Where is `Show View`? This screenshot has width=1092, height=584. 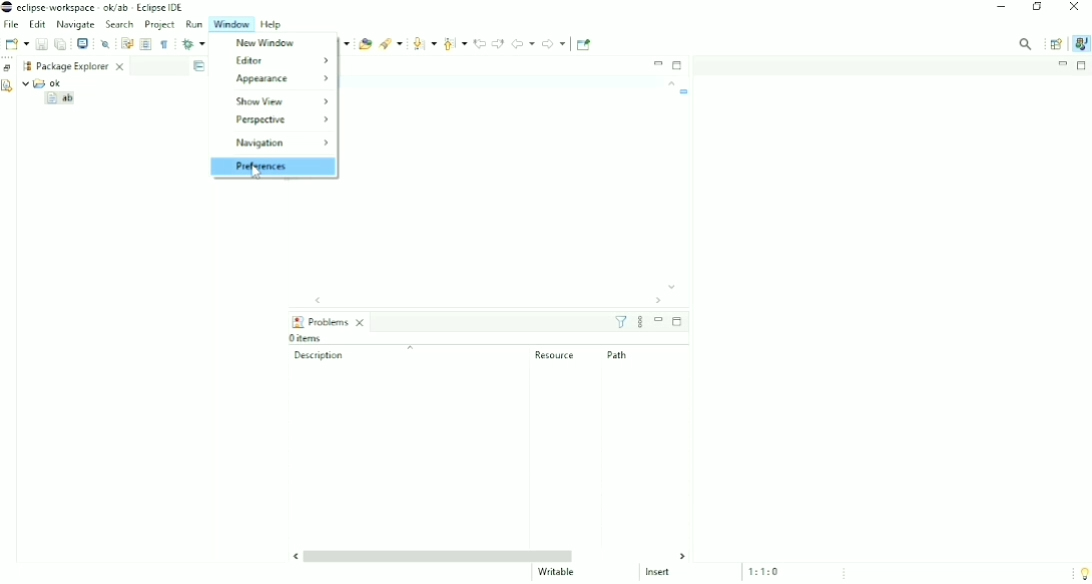
Show View is located at coordinates (284, 101).